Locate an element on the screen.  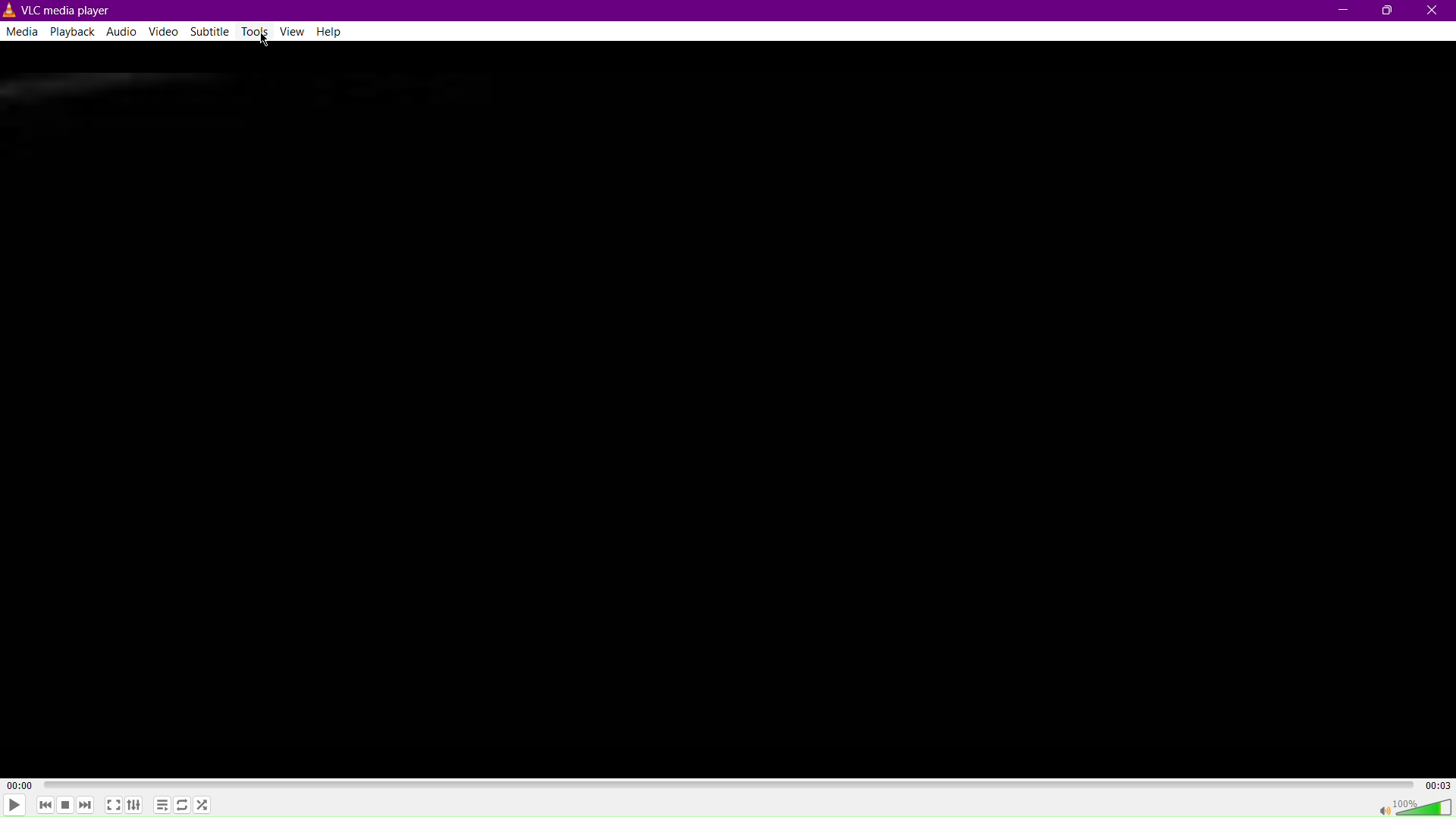
mute/unmute is located at coordinates (1381, 806).